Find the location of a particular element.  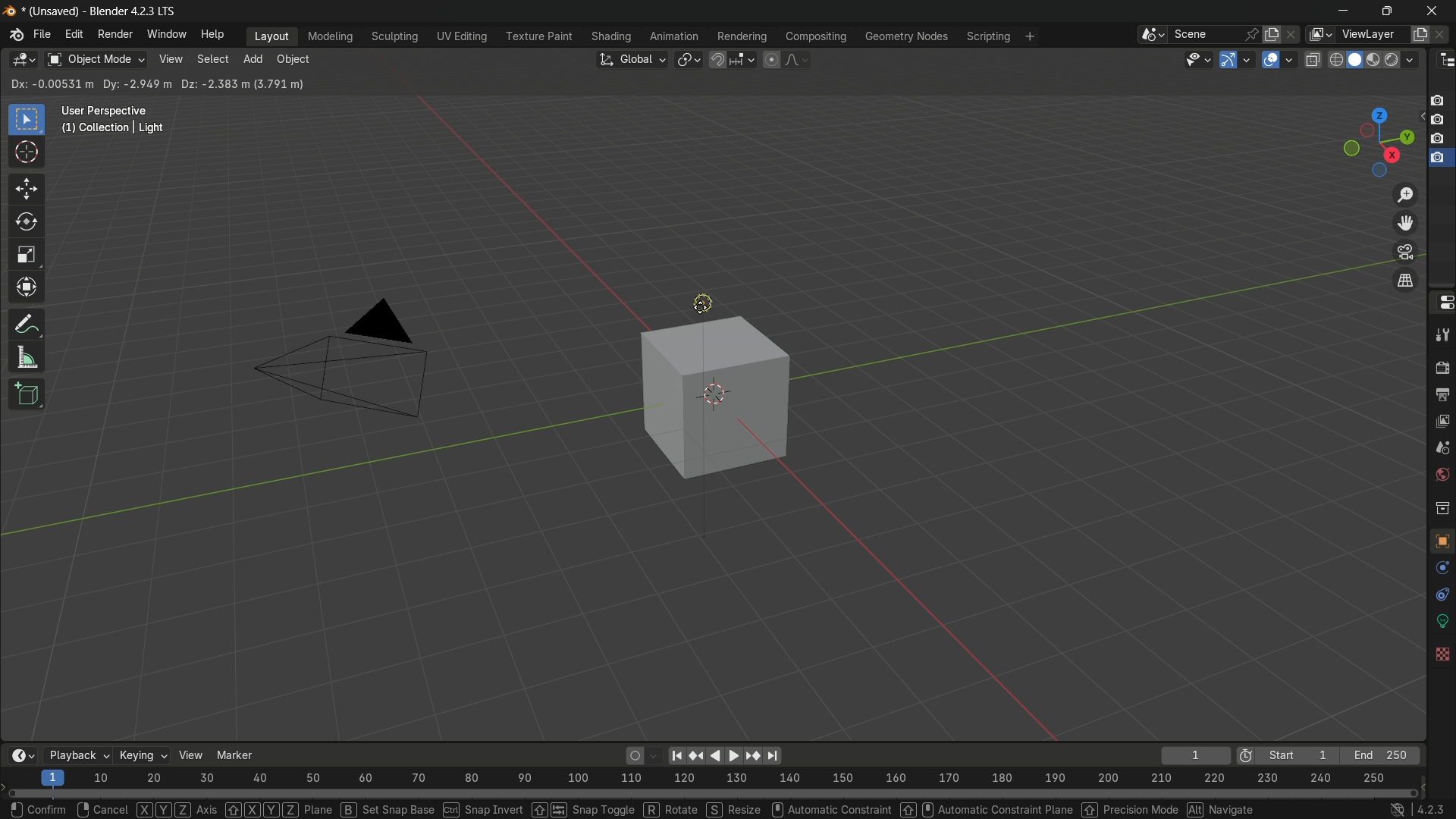

object is located at coordinates (1441, 544).